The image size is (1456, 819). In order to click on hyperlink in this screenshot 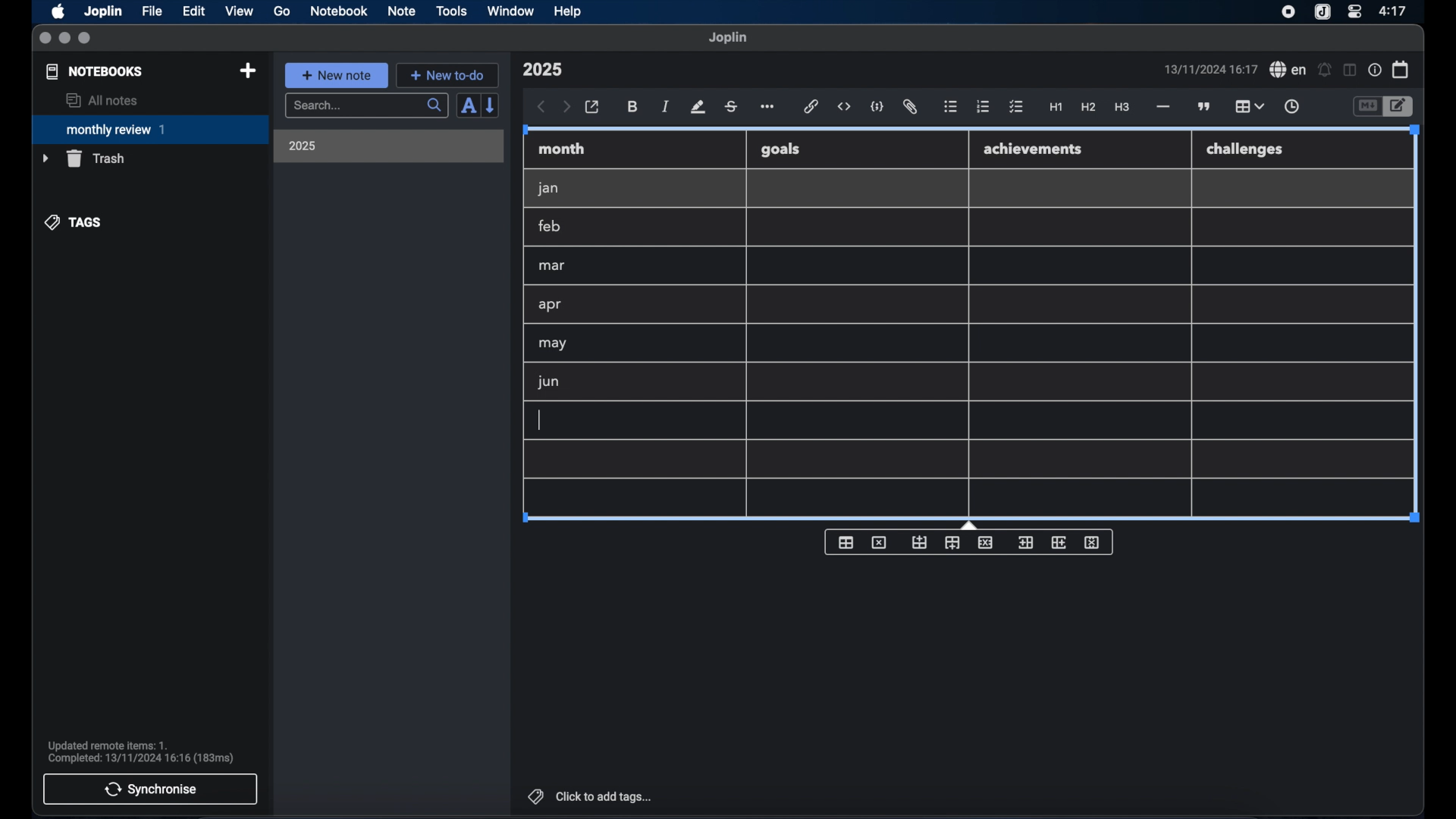, I will do `click(811, 106)`.